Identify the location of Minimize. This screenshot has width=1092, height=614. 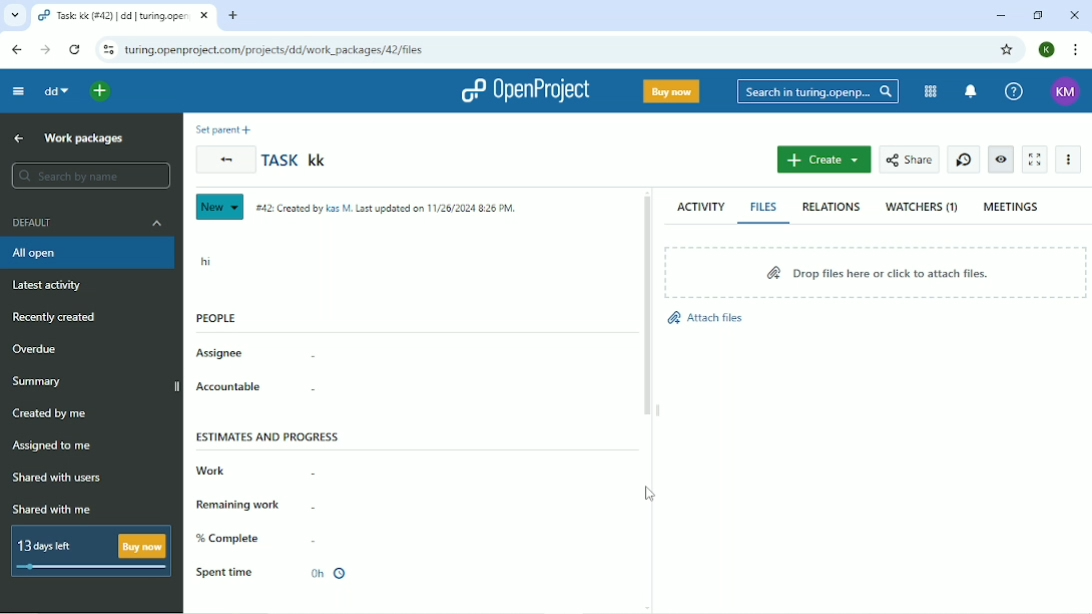
(997, 16).